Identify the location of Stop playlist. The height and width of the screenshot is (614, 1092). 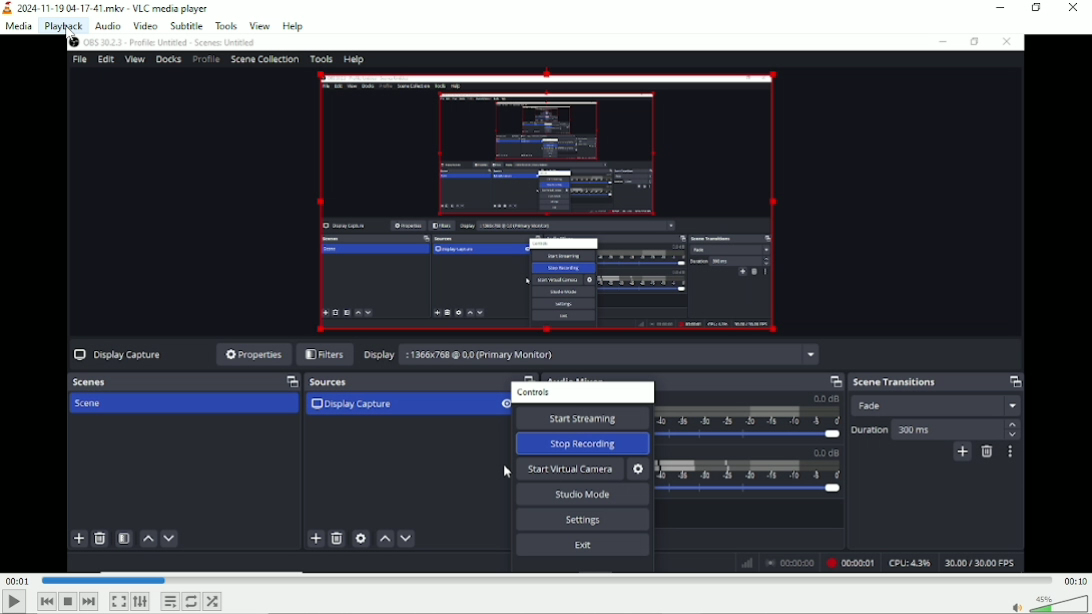
(68, 601).